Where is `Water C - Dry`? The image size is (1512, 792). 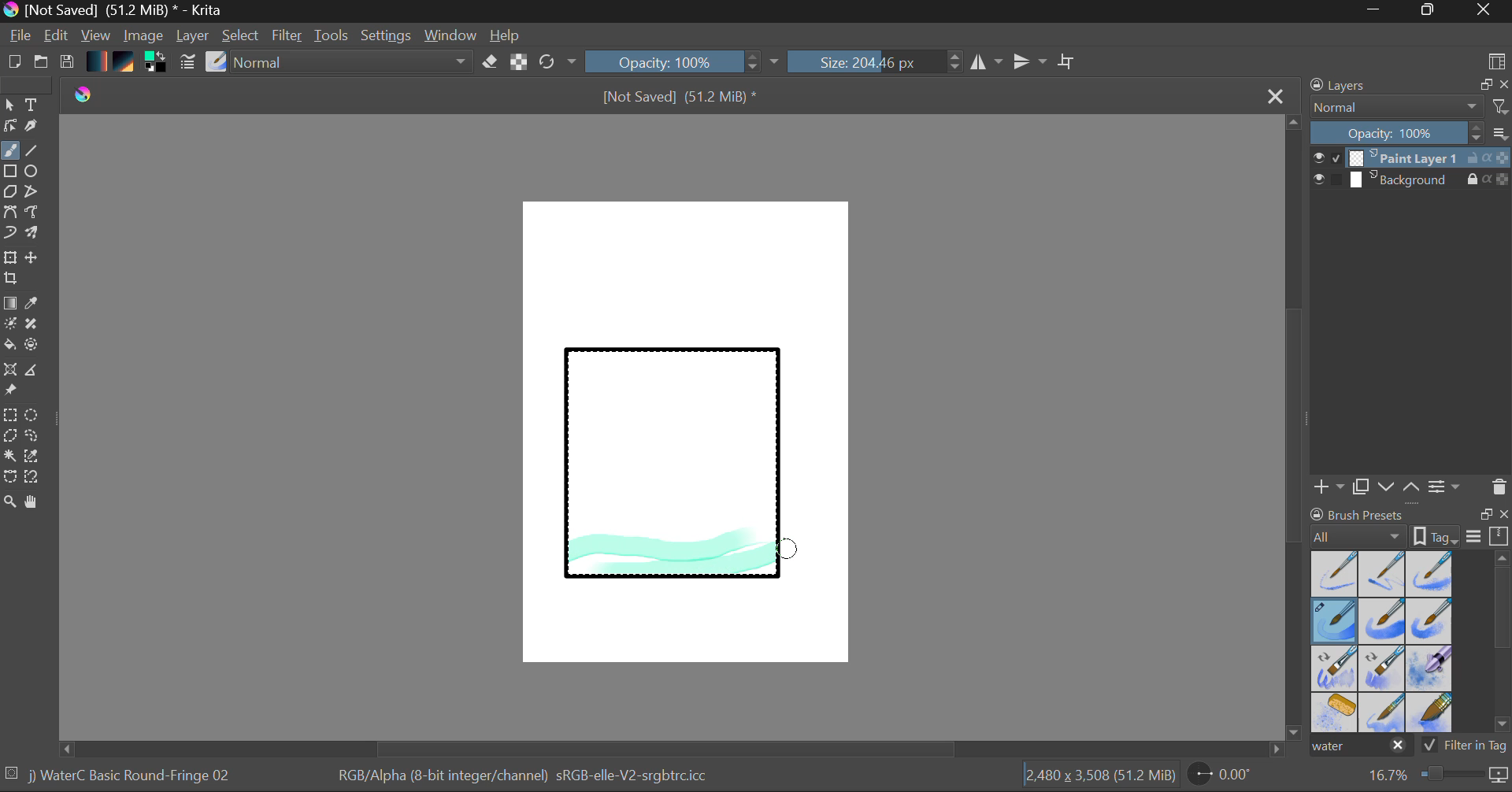 Water C - Dry is located at coordinates (1336, 572).